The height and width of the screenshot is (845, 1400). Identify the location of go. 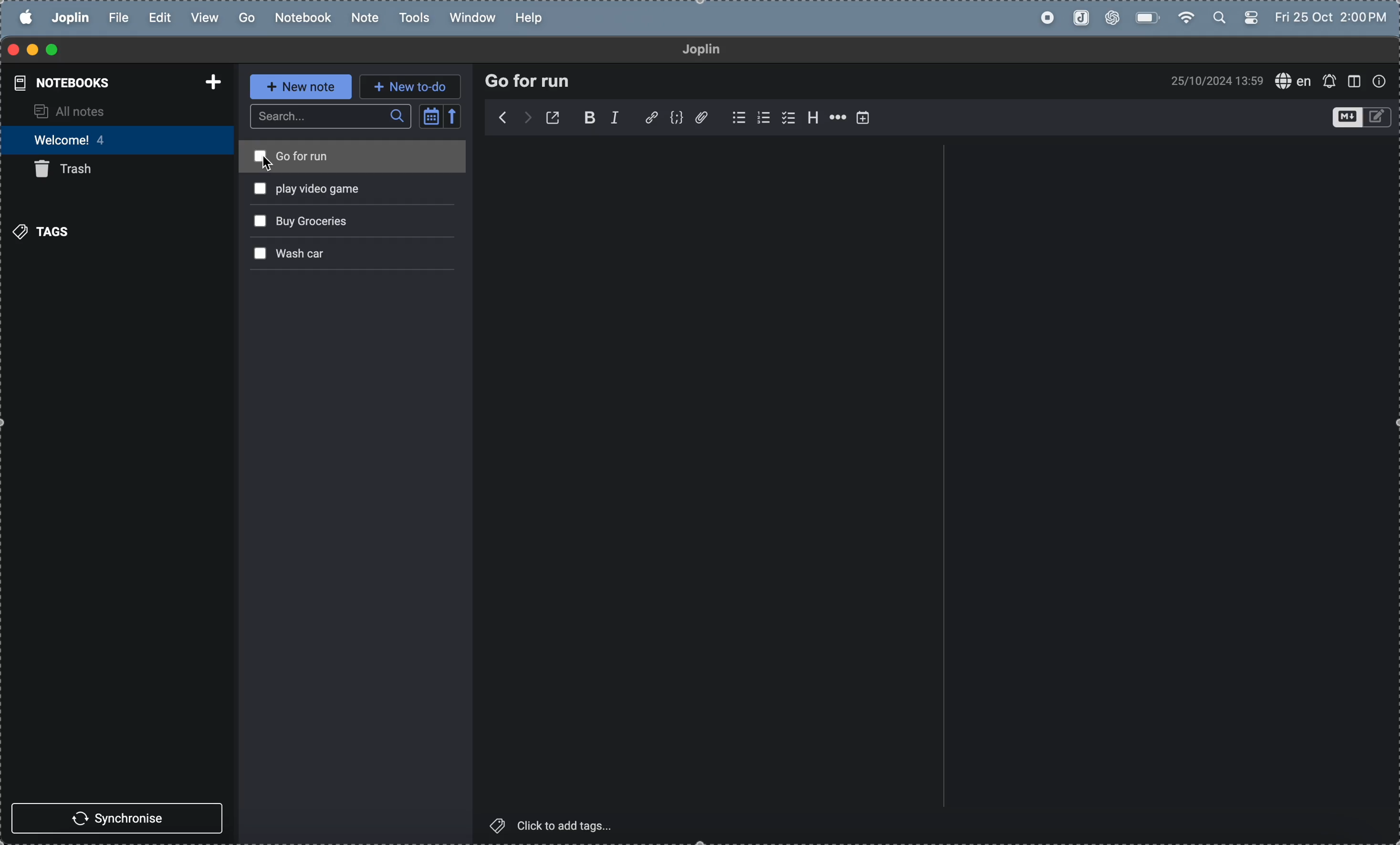
(244, 16).